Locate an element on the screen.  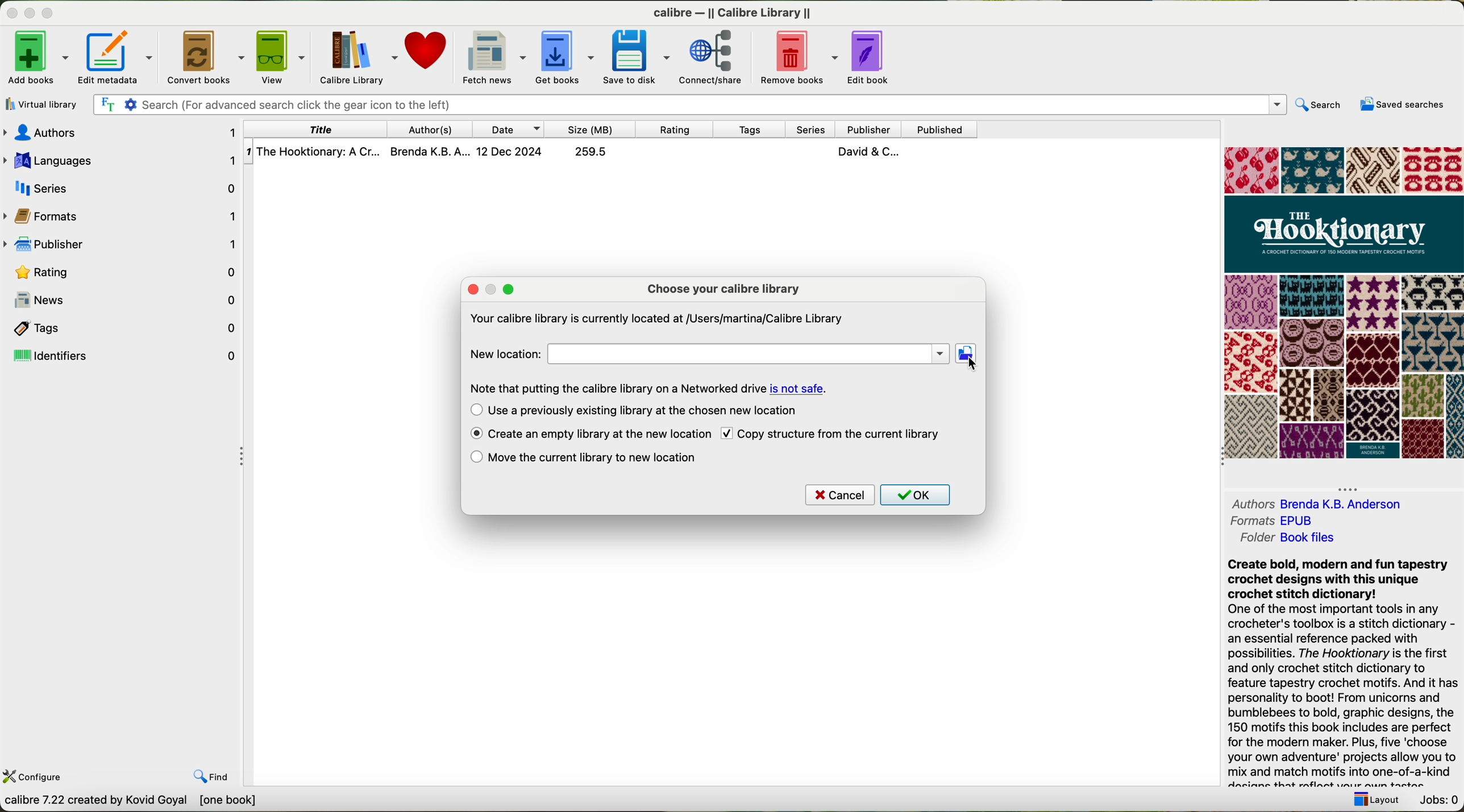
search is located at coordinates (1321, 105).